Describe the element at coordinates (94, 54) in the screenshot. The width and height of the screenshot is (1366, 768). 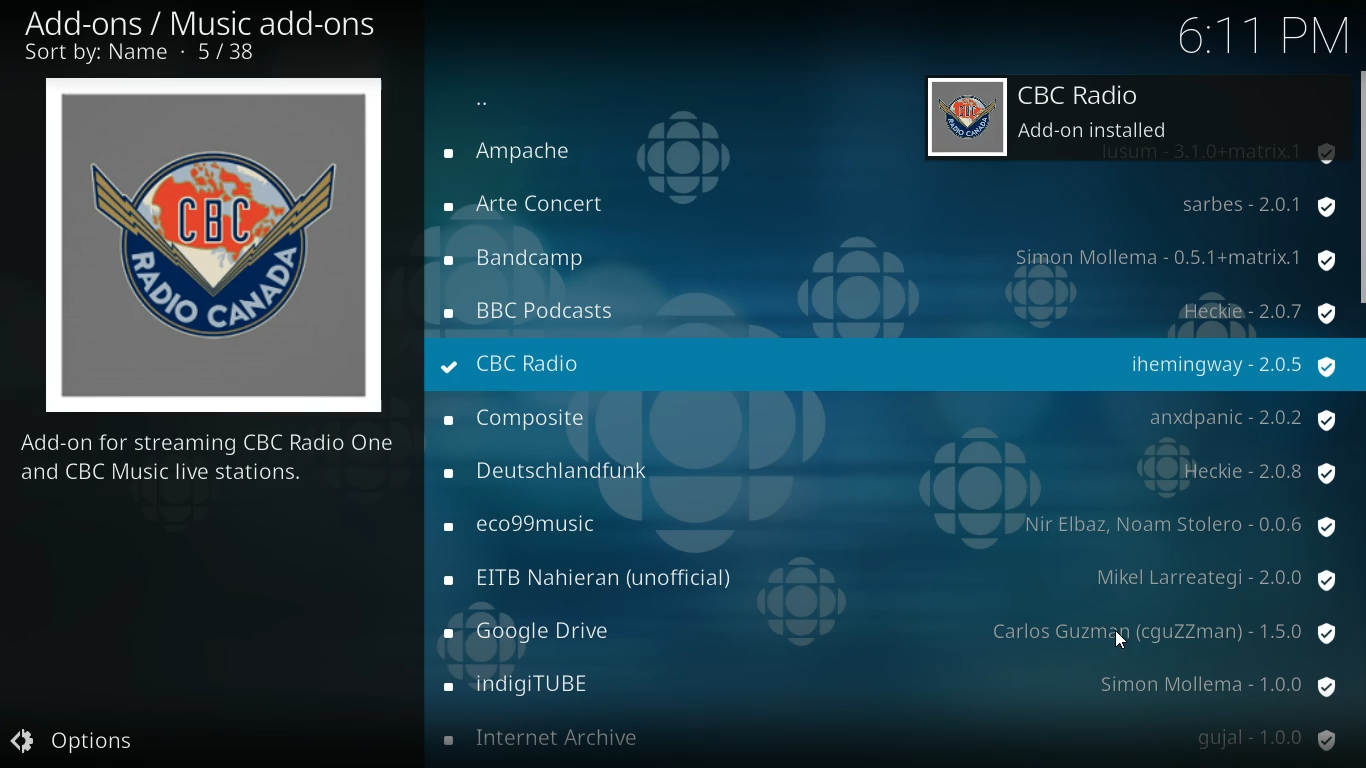
I see `sort by` at that location.